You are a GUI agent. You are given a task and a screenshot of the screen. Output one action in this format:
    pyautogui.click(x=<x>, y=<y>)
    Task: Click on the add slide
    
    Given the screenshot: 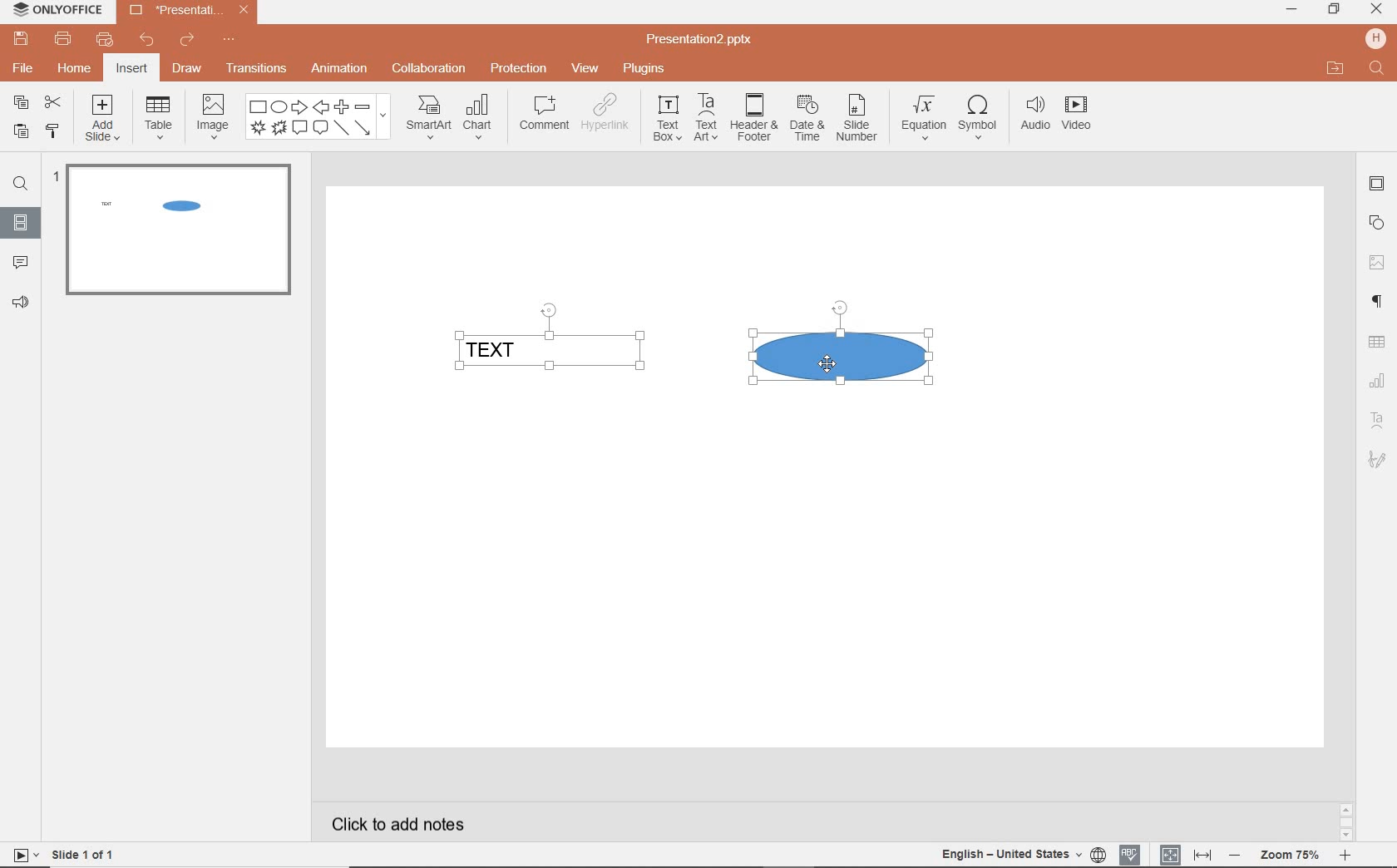 What is the action you would take?
    pyautogui.click(x=103, y=121)
    